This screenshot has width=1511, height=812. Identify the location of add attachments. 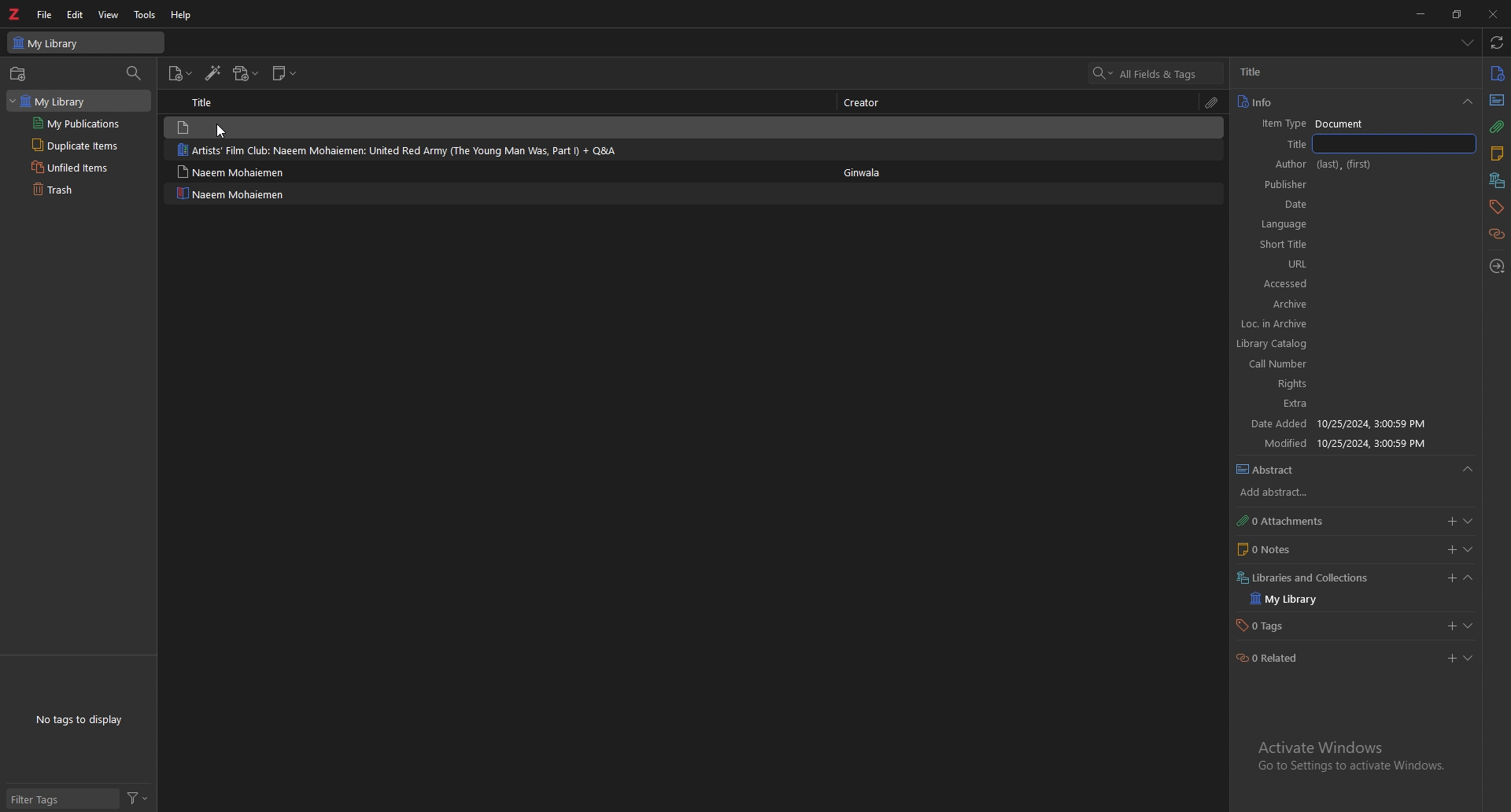
(1450, 522).